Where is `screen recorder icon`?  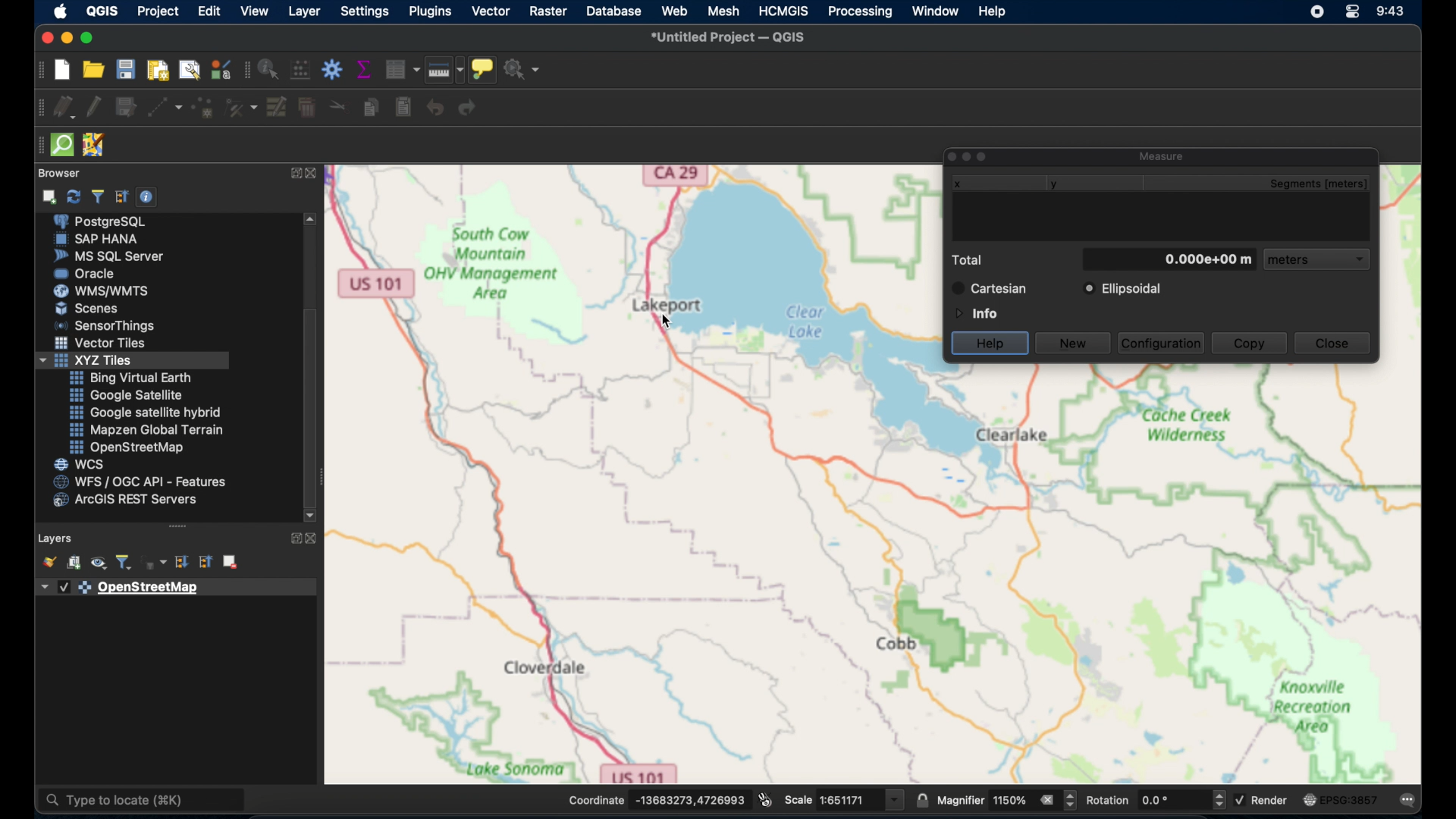
screen recorder icon is located at coordinates (1316, 12).